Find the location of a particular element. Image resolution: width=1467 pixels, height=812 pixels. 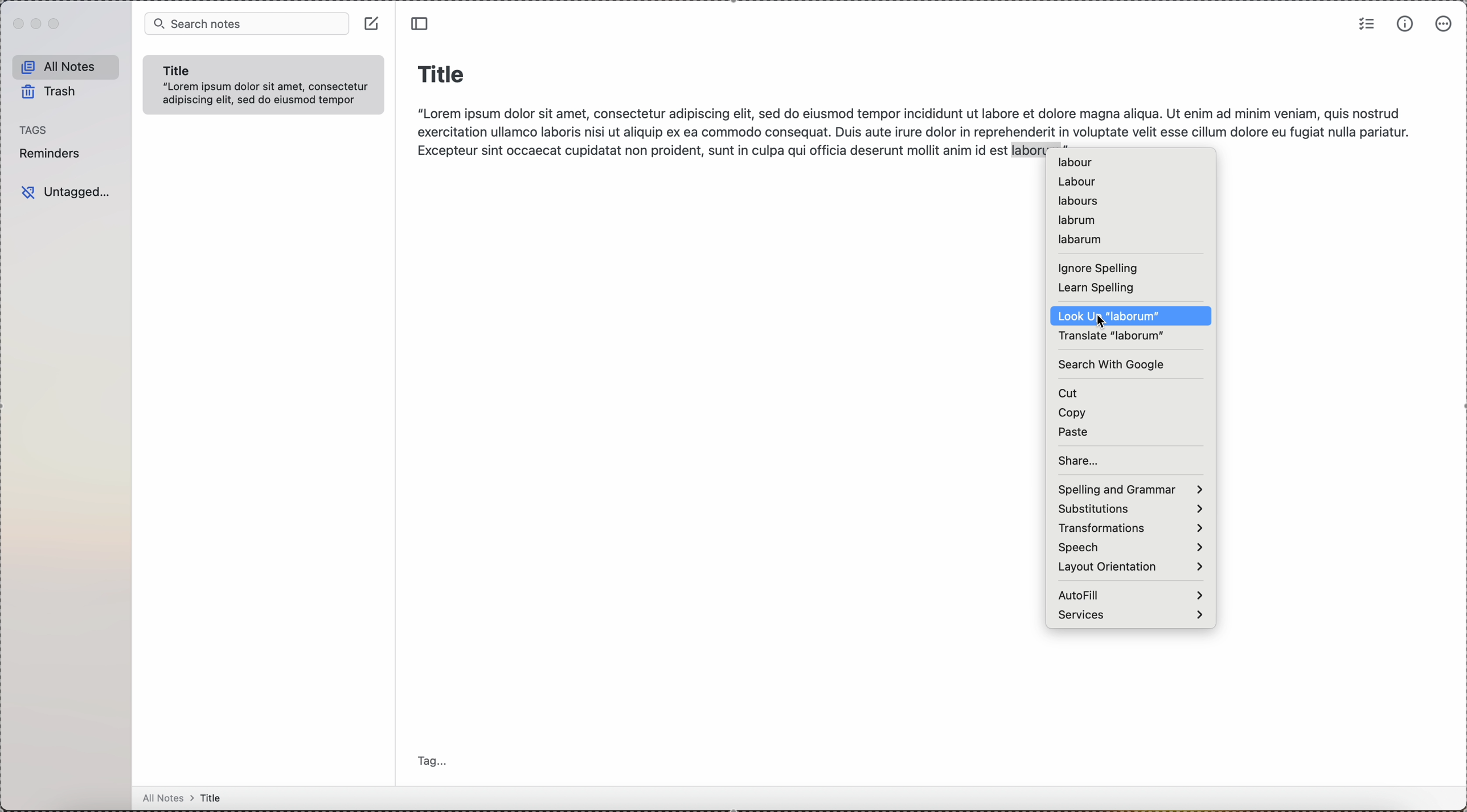

spelling and grammar is located at coordinates (1132, 490).